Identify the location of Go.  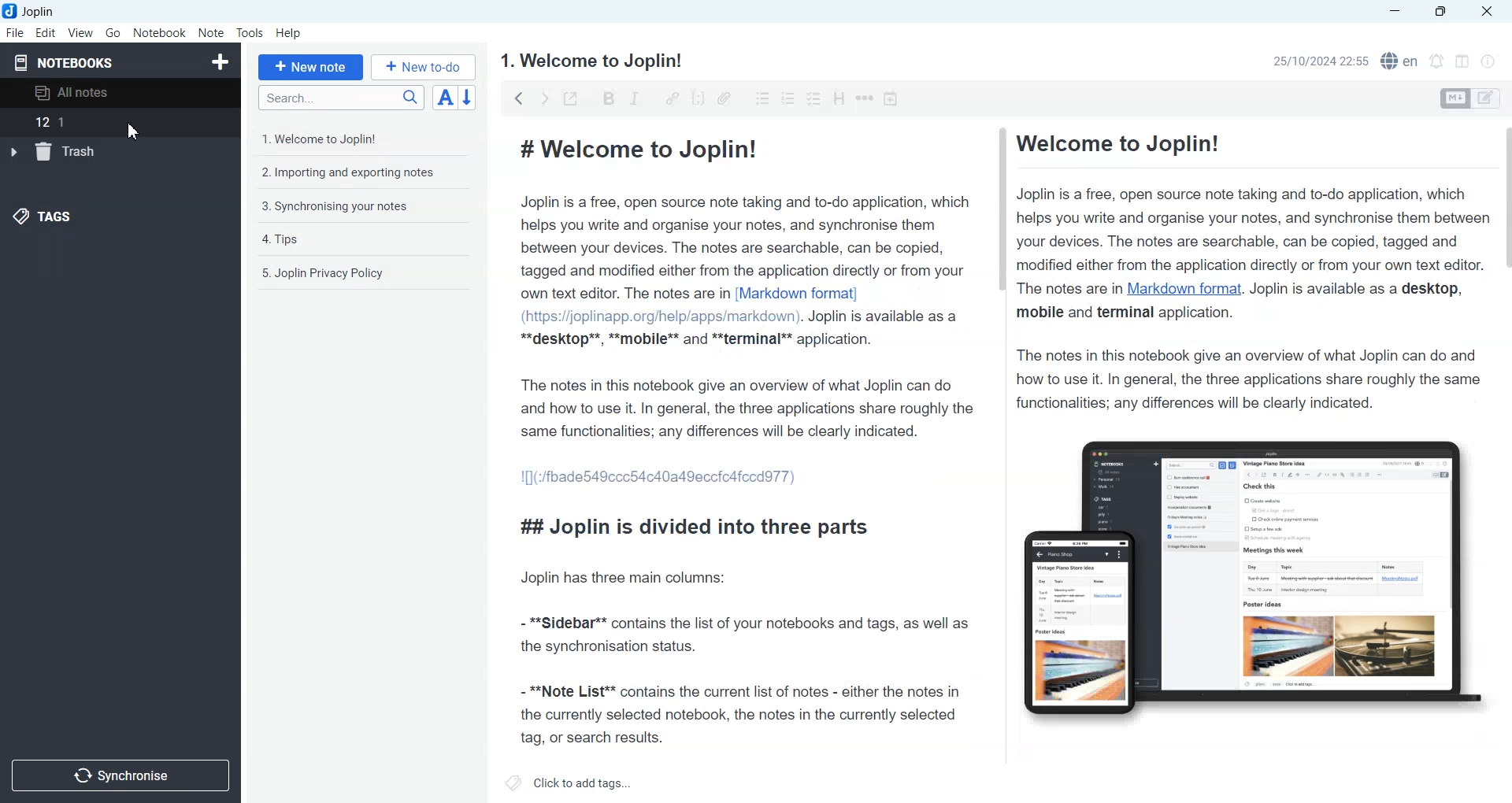
(114, 32).